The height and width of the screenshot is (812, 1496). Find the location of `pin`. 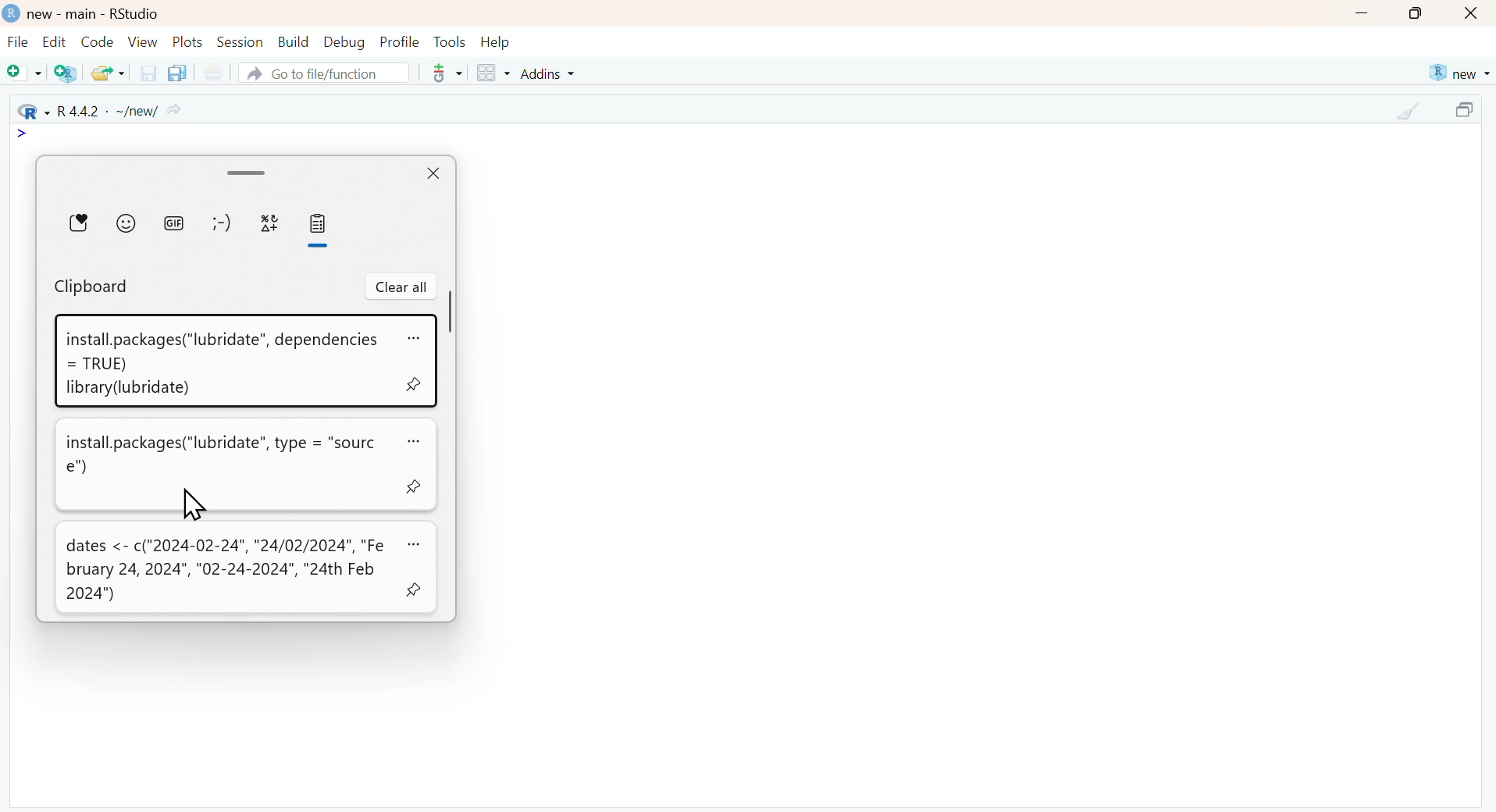

pin is located at coordinates (414, 591).